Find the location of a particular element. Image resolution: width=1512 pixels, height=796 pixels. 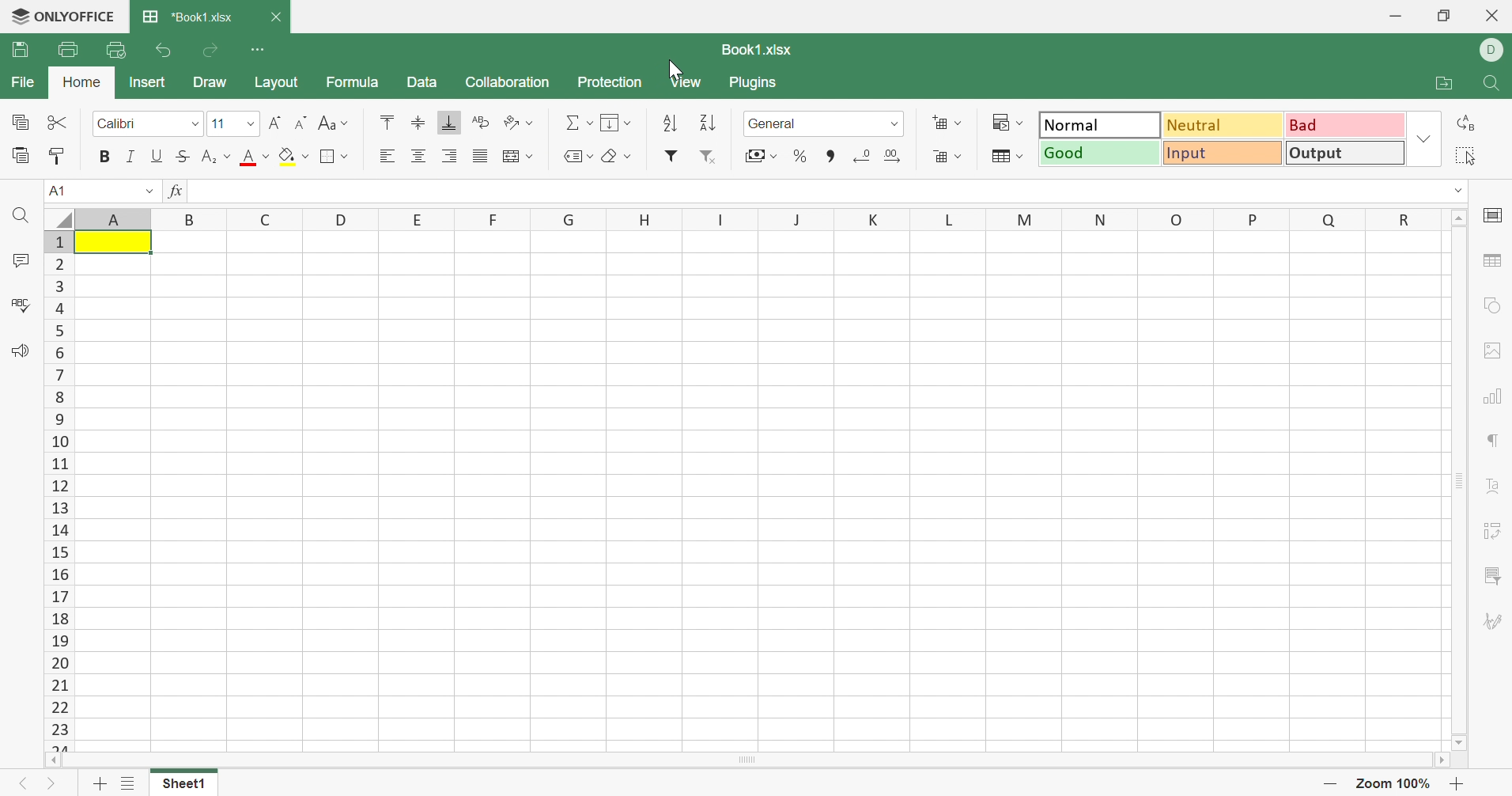

Justified is located at coordinates (481, 154).